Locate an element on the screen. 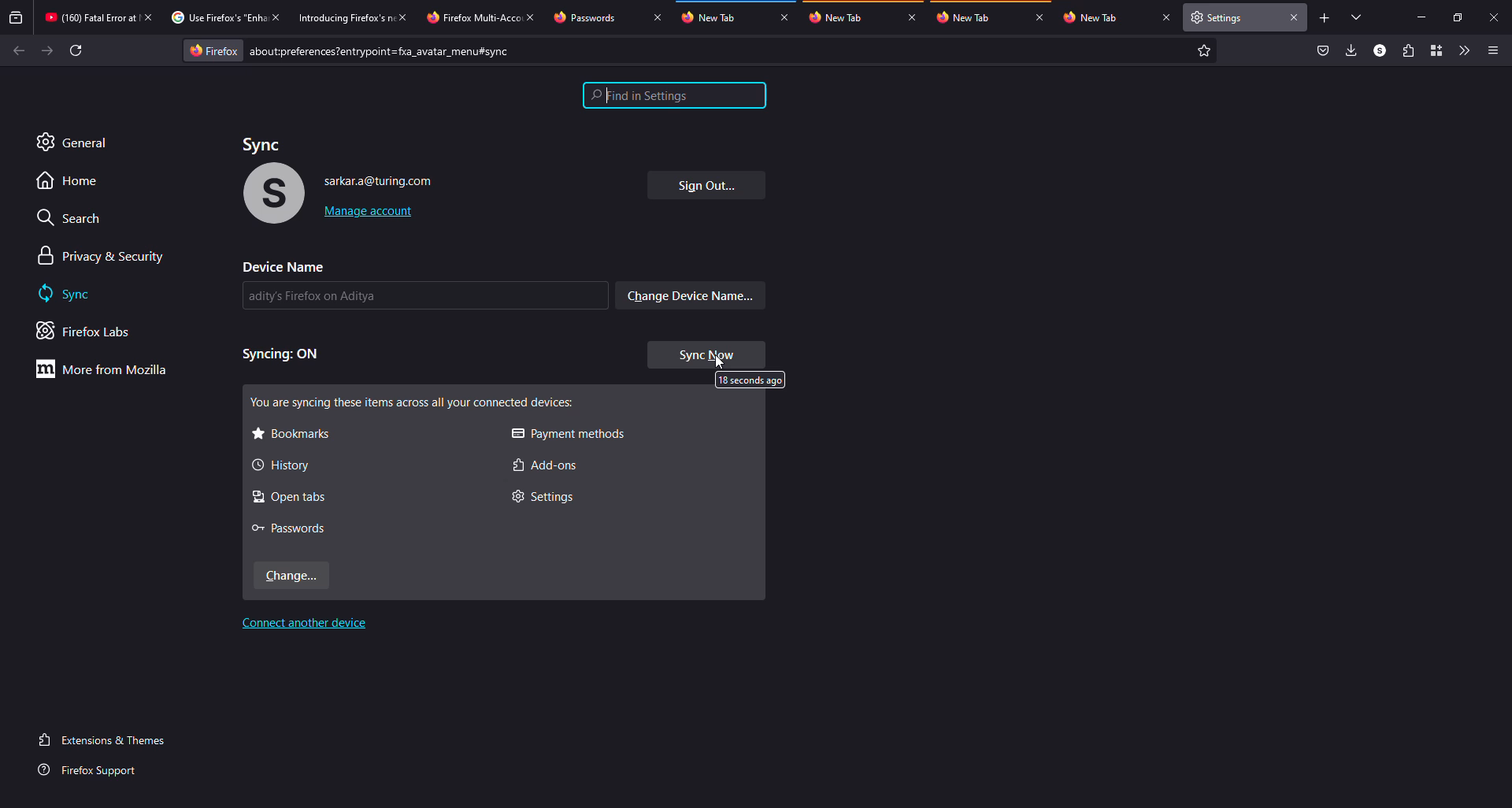 Image resolution: width=1512 pixels, height=808 pixels. add is located at coordinates (1323, 18).